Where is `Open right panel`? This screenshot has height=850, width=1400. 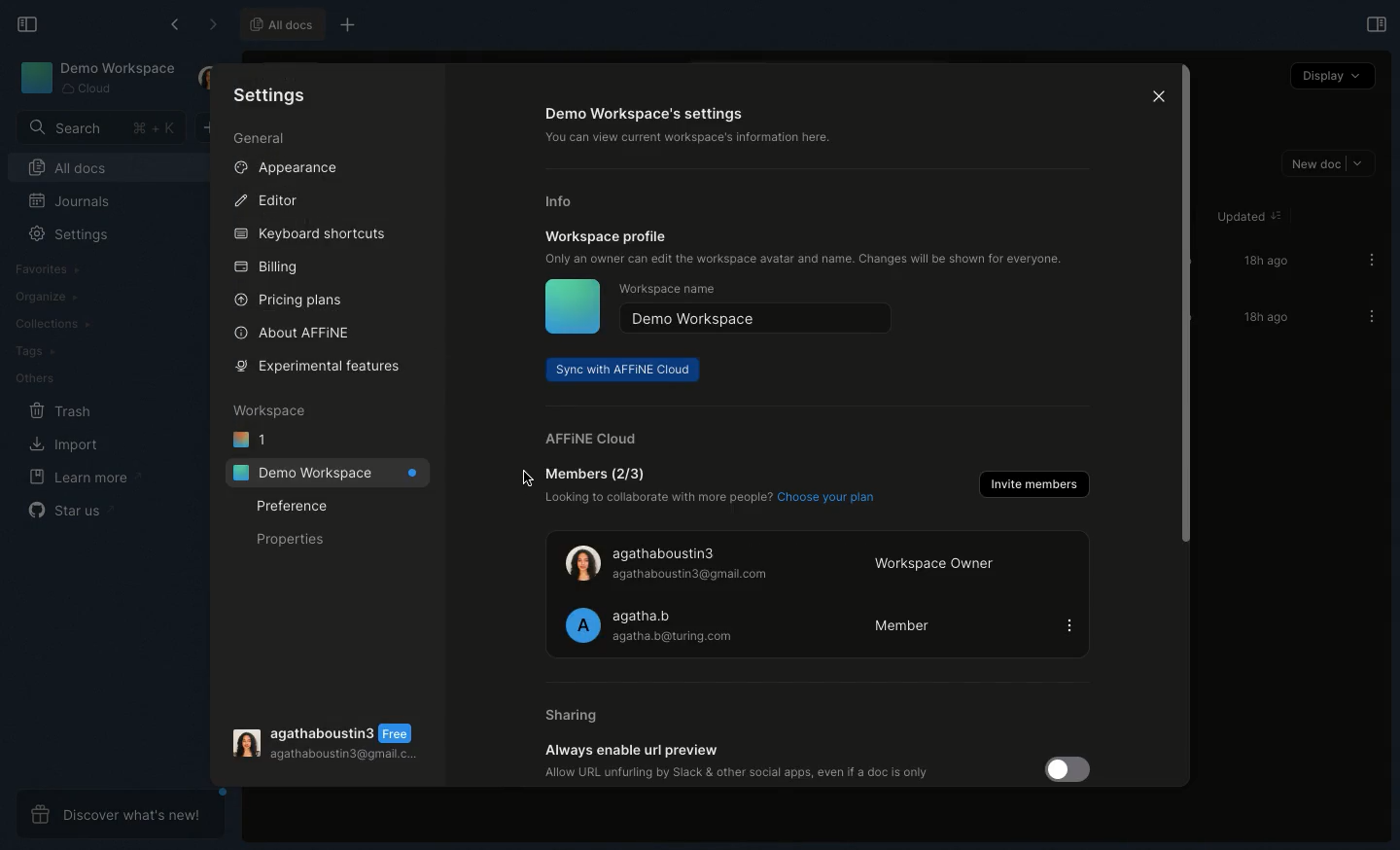
Open right panel is located at coordinates (1376, 23).